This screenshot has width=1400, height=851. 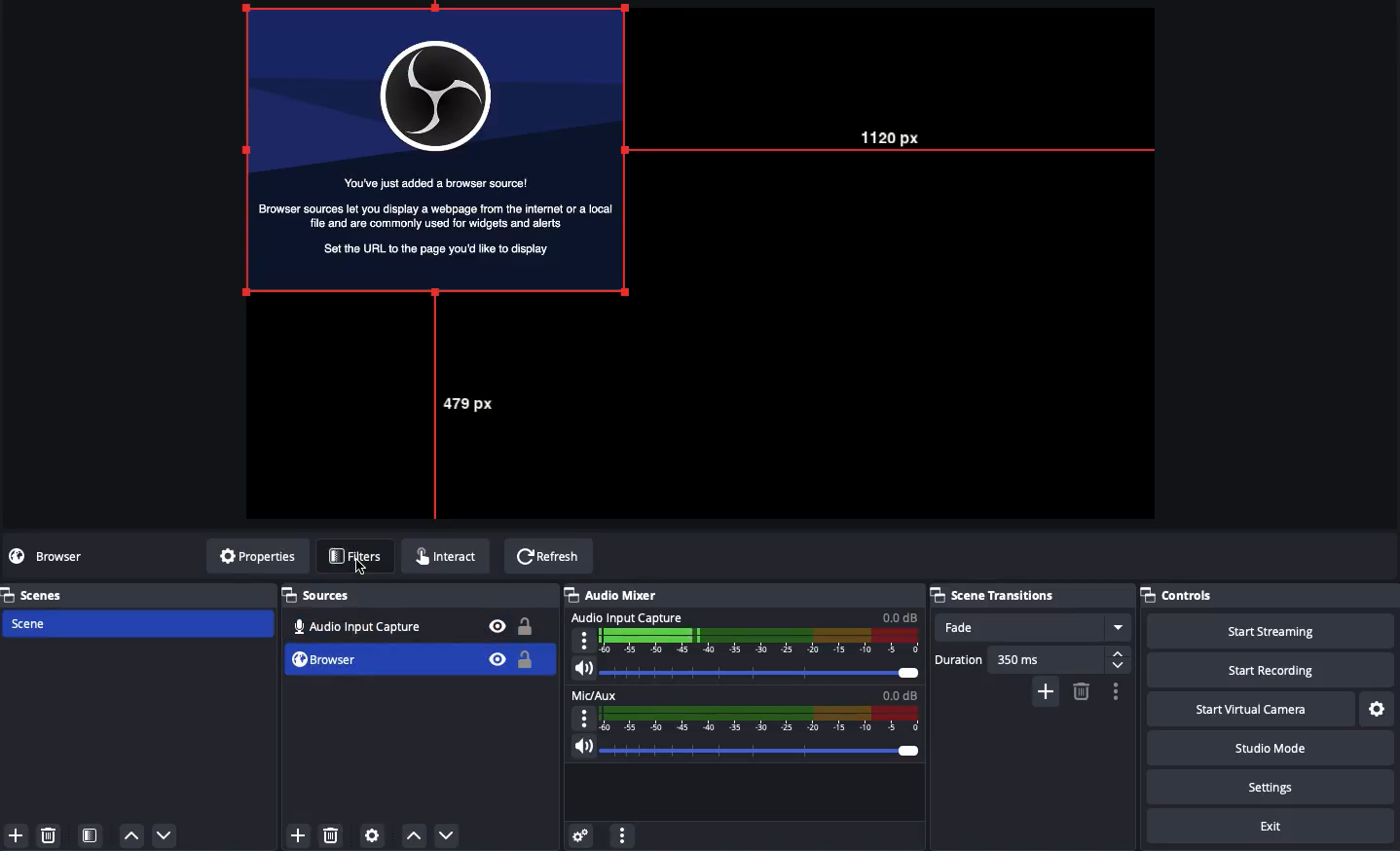 What do you see at coordinates (583, 836) in the screenshot?
I see `Advanced audio properties` at bounding box center [583, 836].